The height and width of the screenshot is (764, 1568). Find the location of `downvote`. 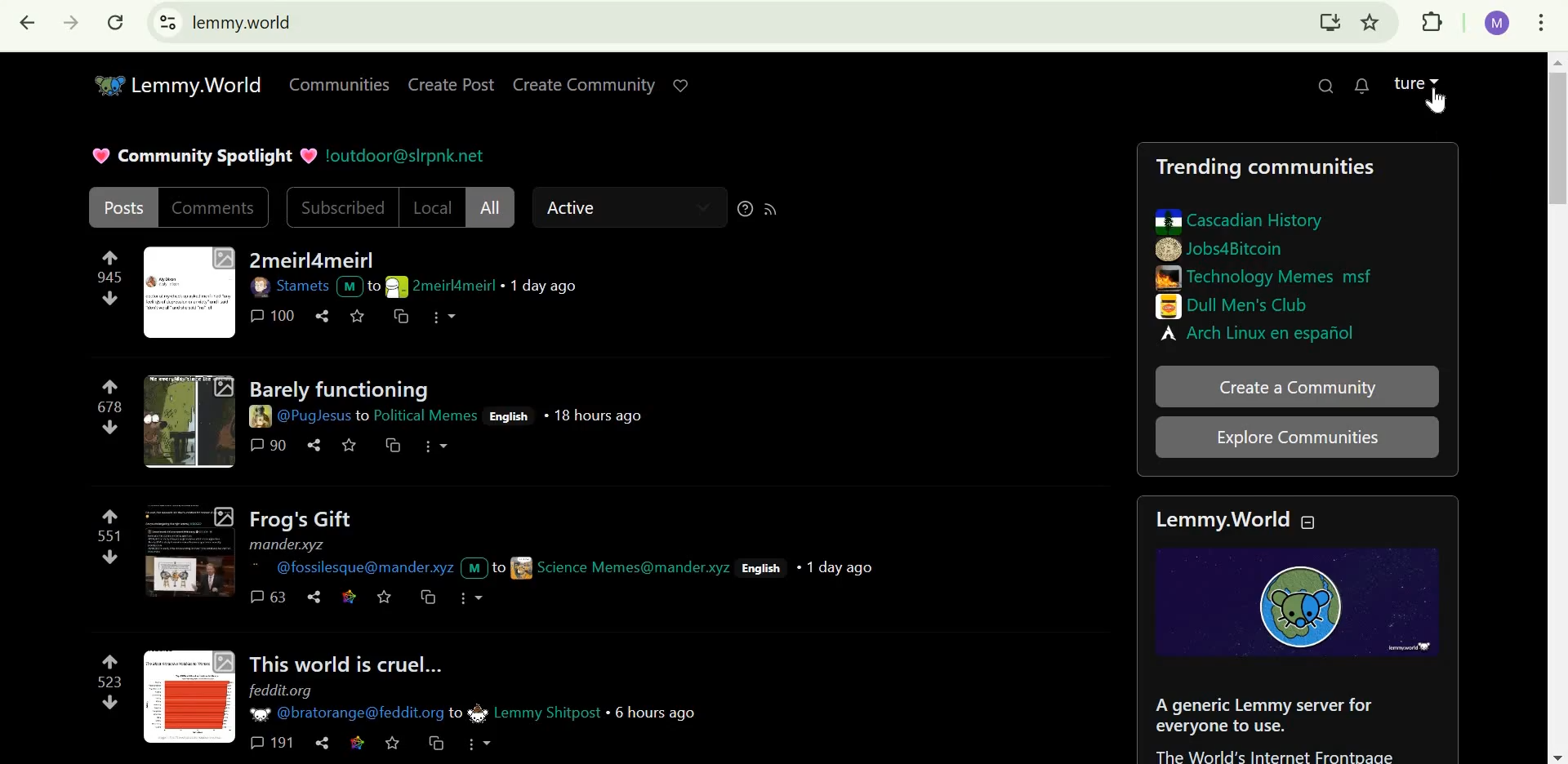

downvote is located at coordinates (109, 558).